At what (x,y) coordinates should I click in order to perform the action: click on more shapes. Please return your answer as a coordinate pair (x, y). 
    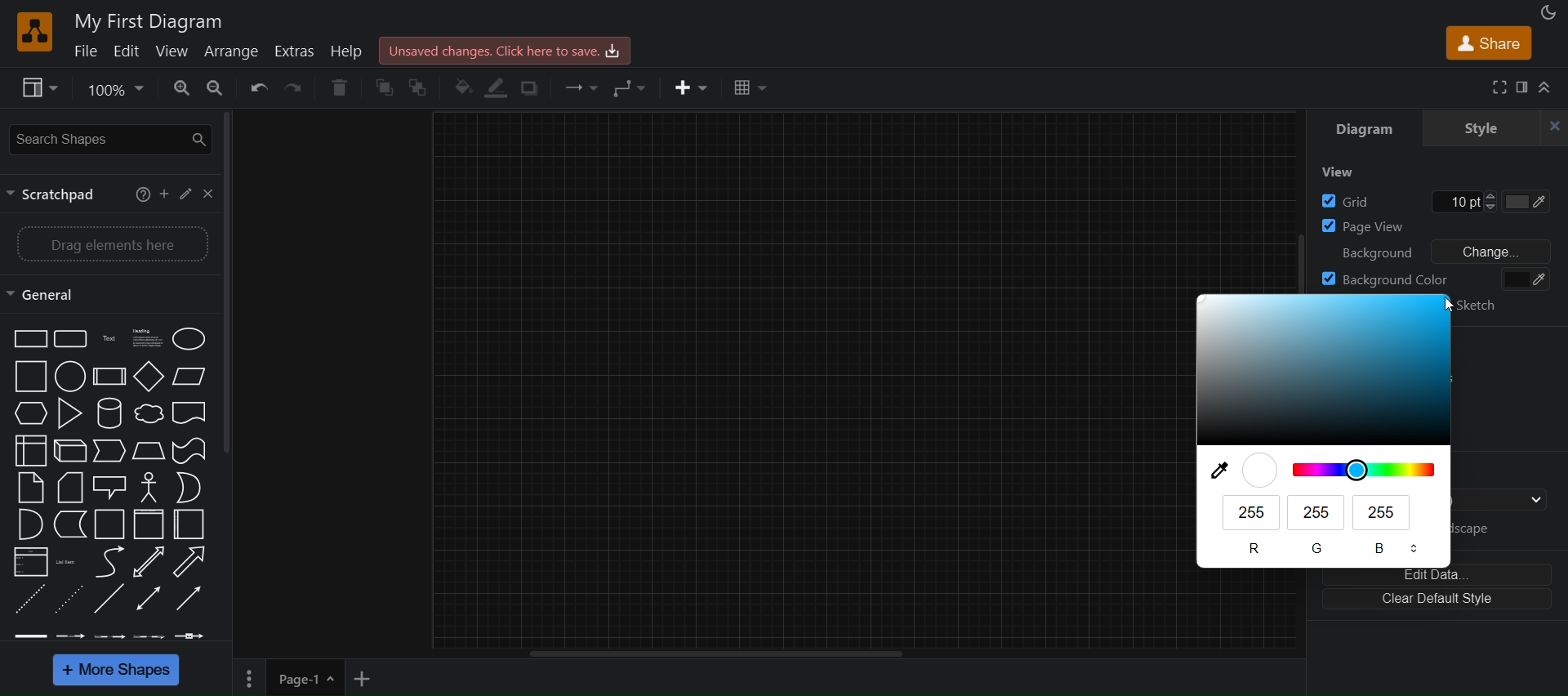
    Looking at the image, I should click on (121, 671).